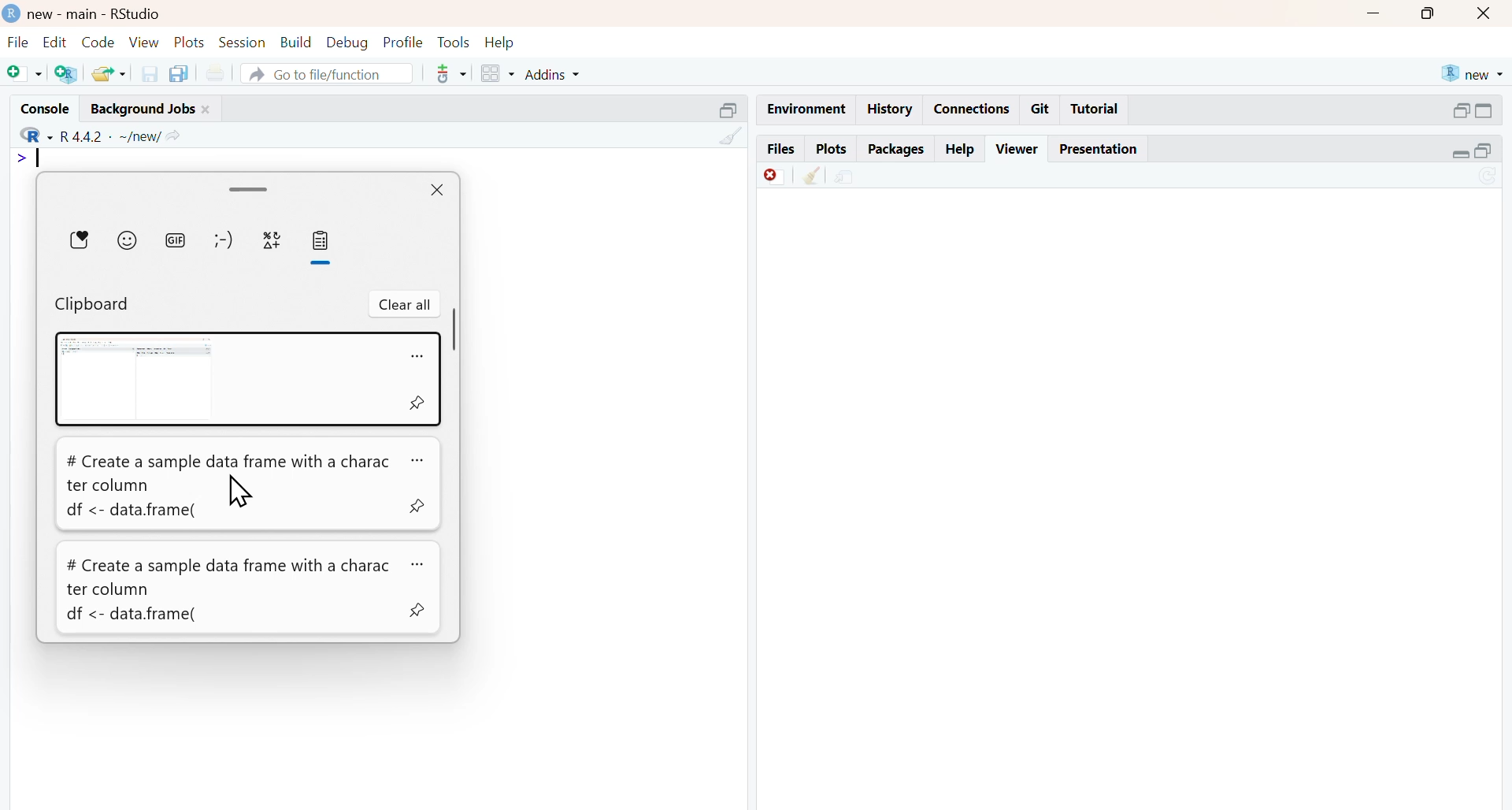  I want to click on Screenshot , so click(142, 380).